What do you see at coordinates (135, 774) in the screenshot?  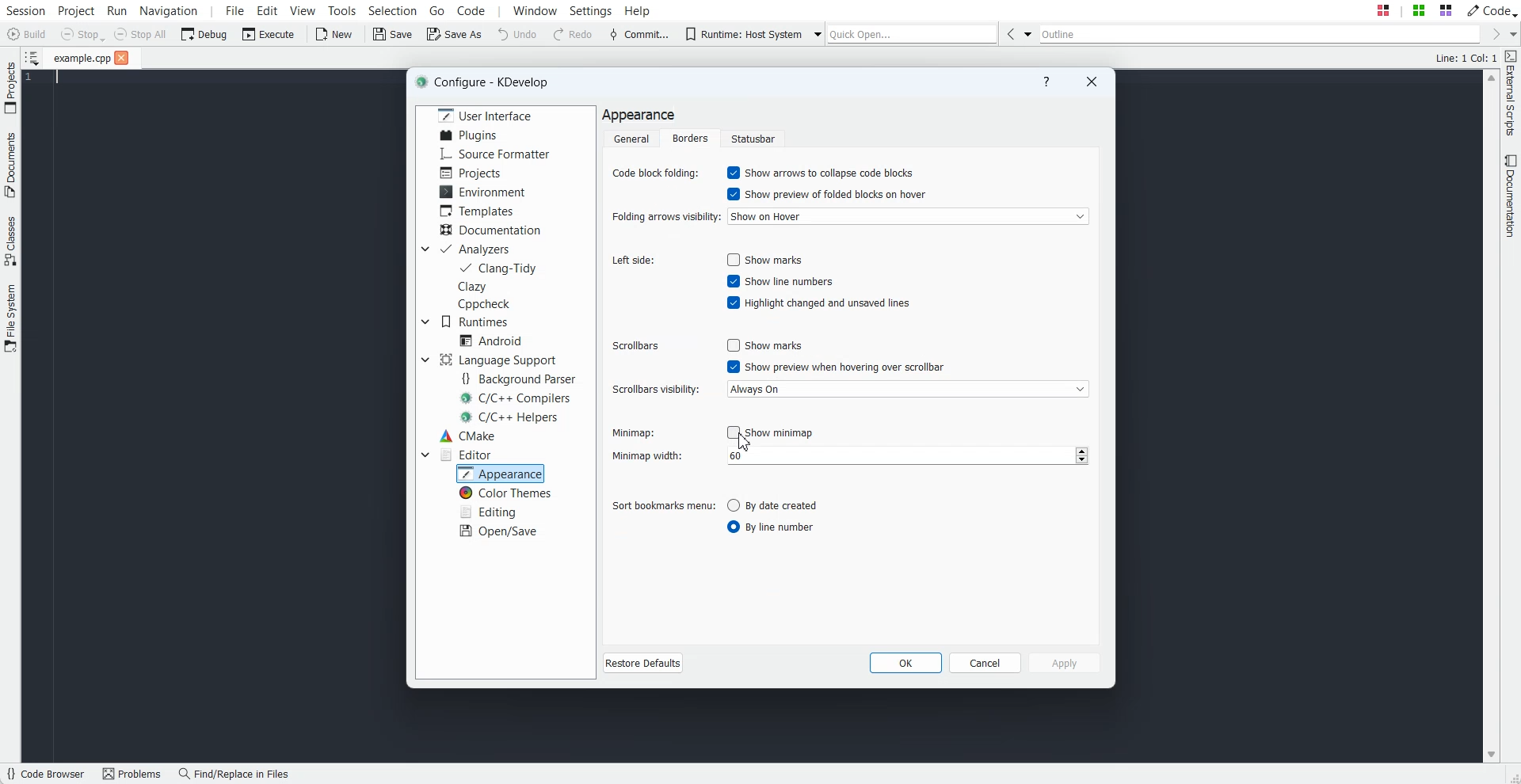 I see `Problems` at bounding box center [135, 774].